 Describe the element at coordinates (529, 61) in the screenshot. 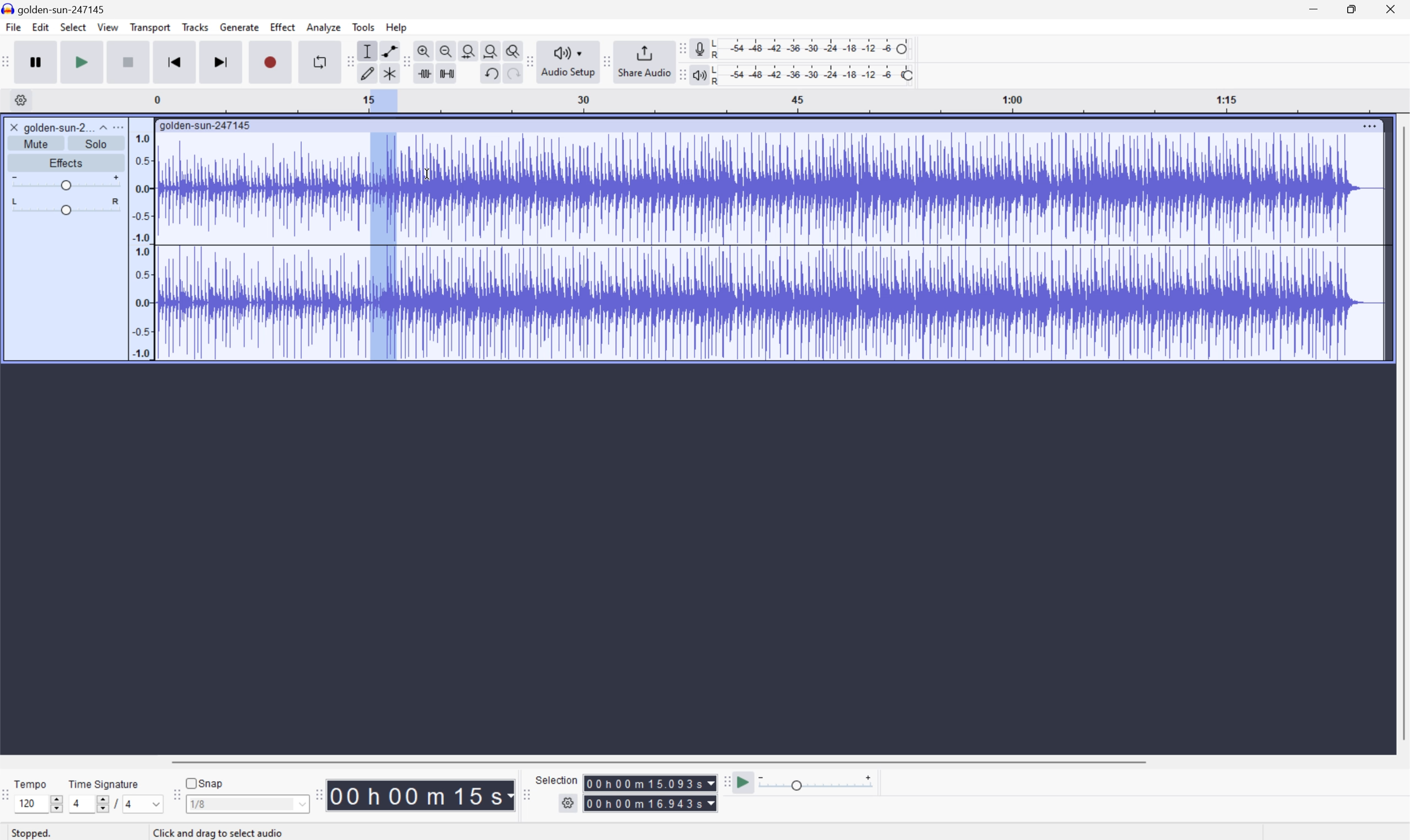

I see `Audacity audio setup toolbar` at that location.